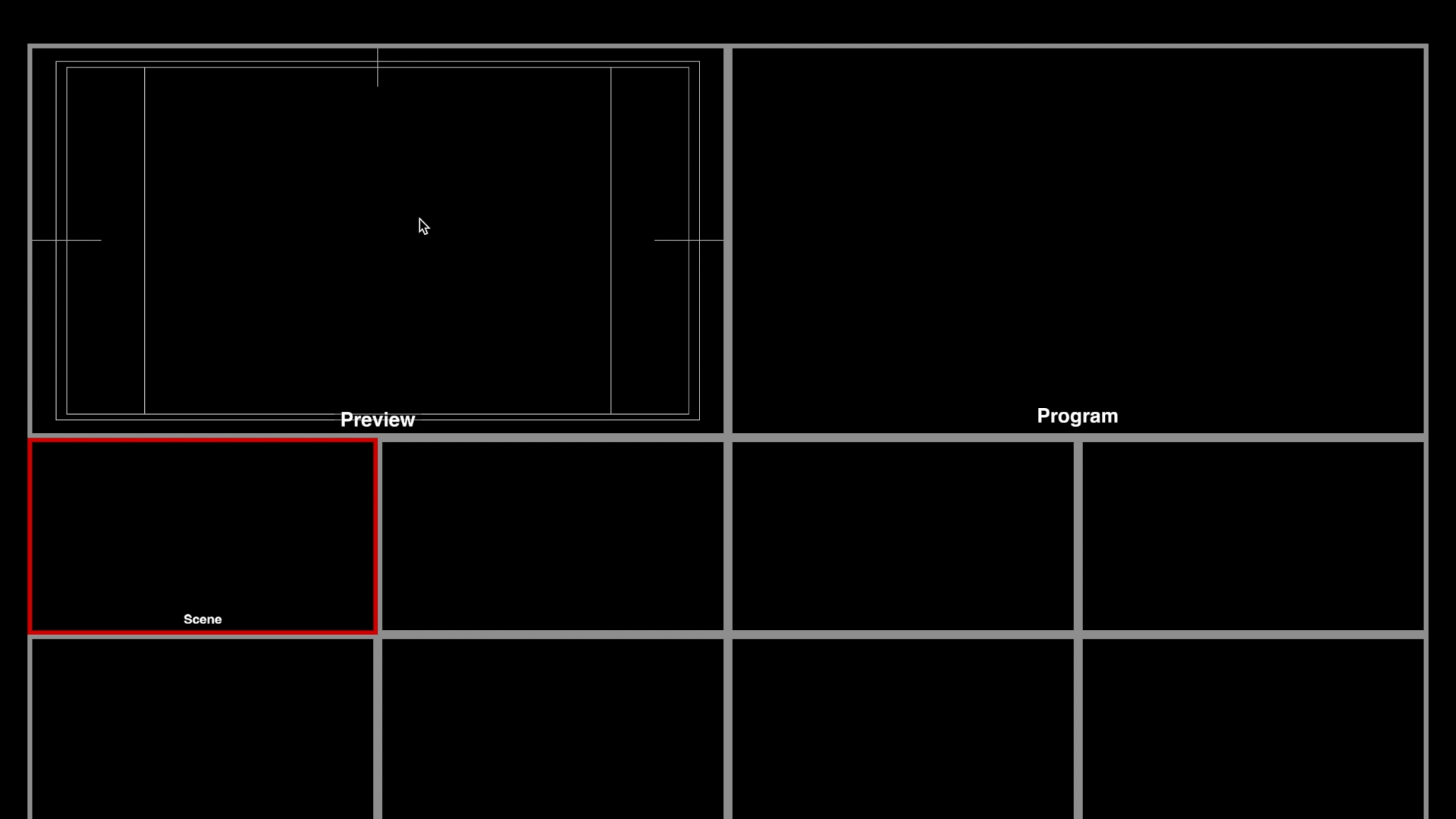 The image size is (1456, 819). Describe the element at coordinates (424, 227) in the screenshot. I see `cursor` at that location.